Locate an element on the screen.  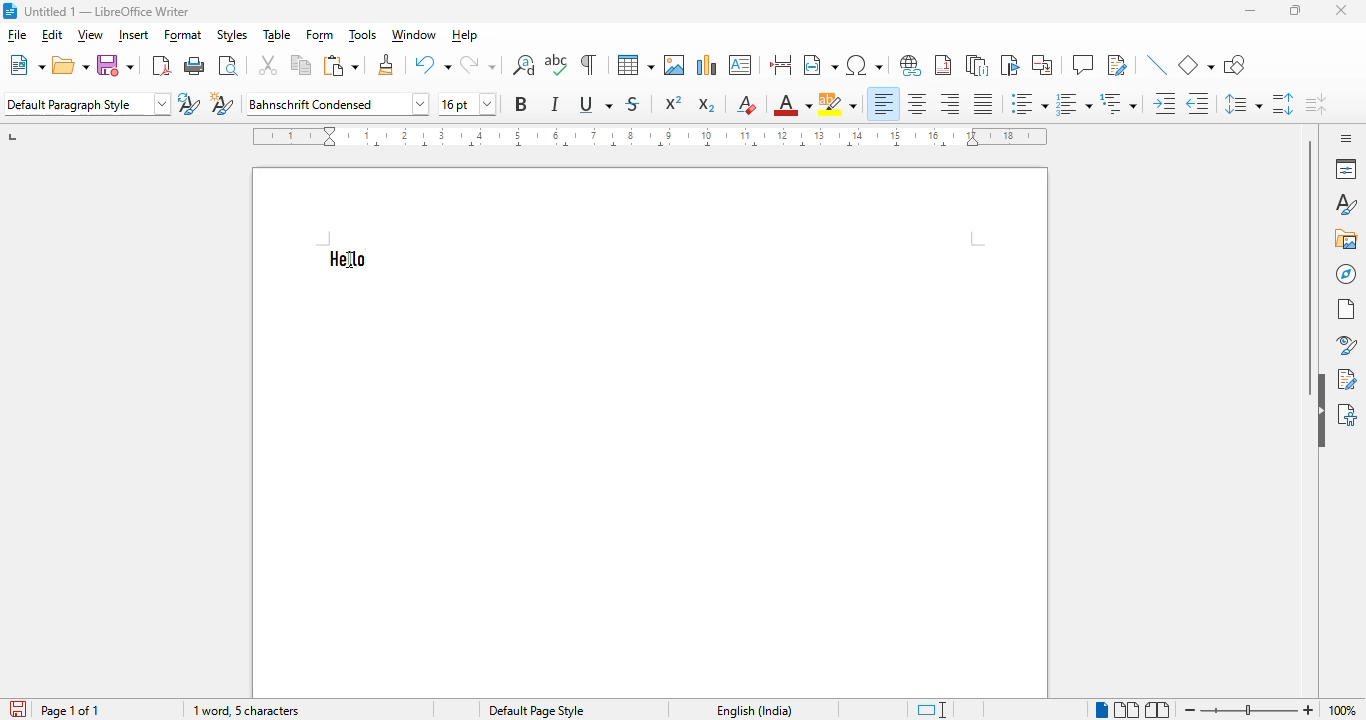
hide is located at coordinates (1320, 411).